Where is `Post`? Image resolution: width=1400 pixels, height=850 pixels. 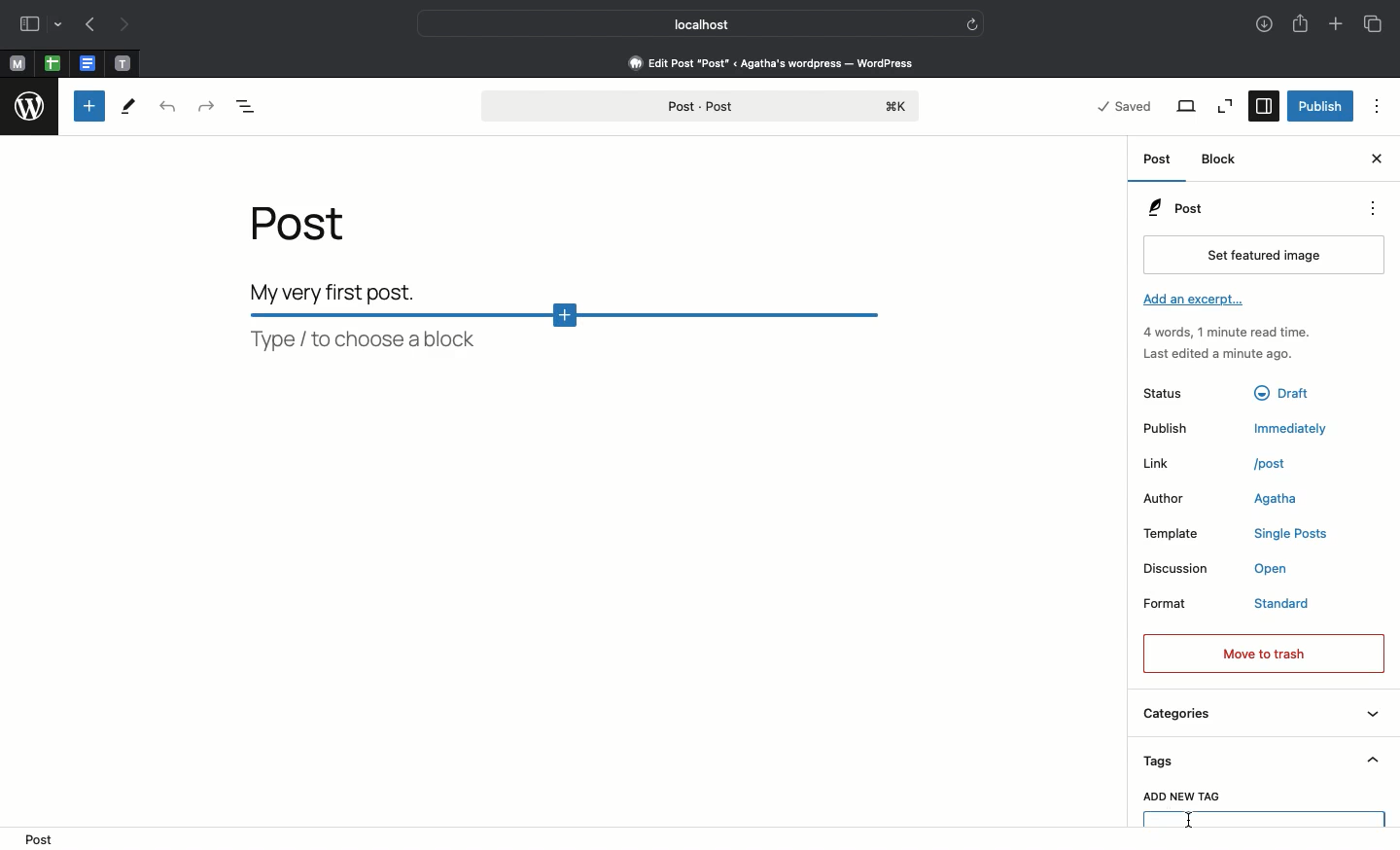
Post is located at coordinates (704, 102).